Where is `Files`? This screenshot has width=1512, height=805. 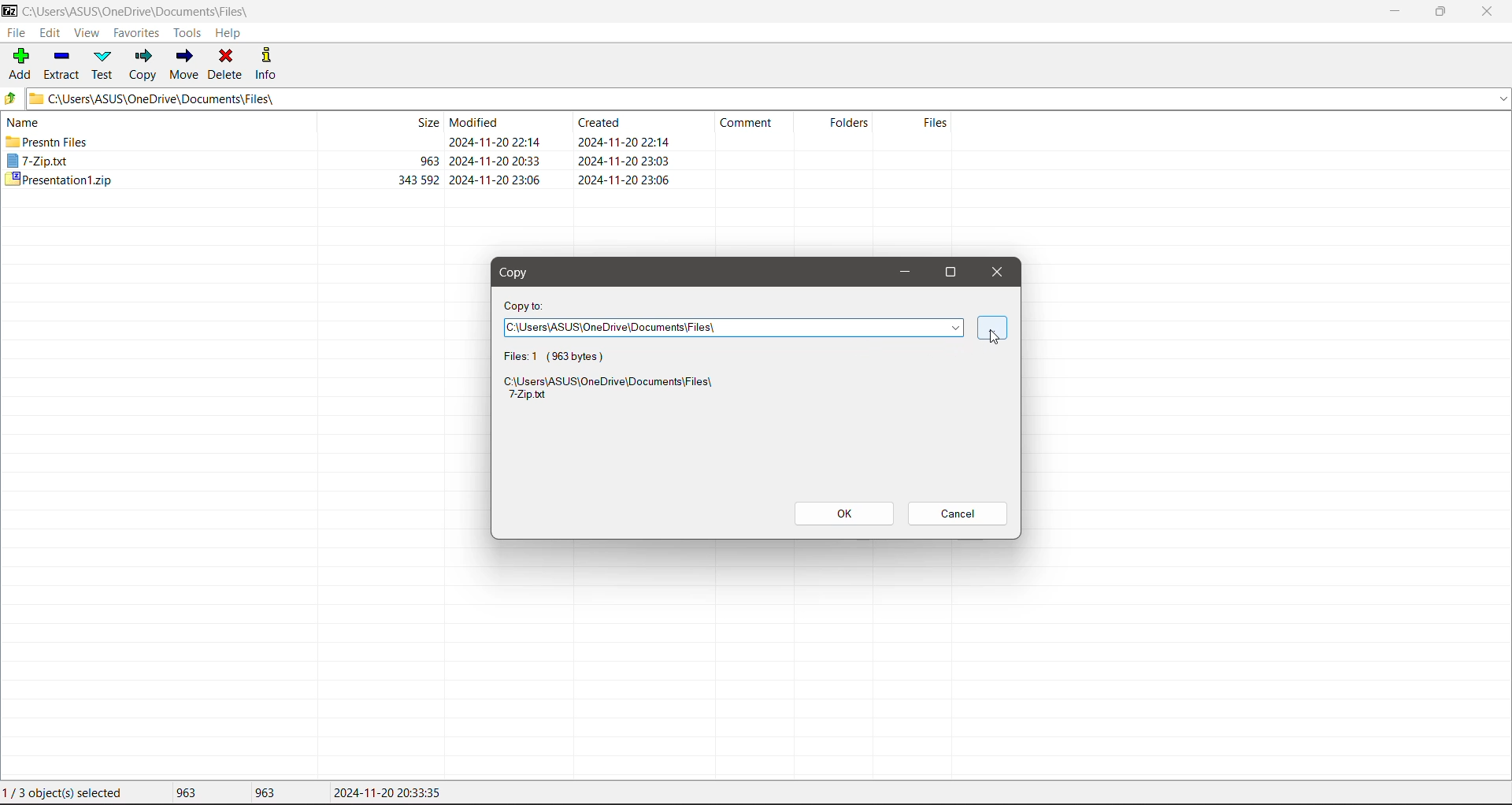
Files is located at coordinates (917, 131).